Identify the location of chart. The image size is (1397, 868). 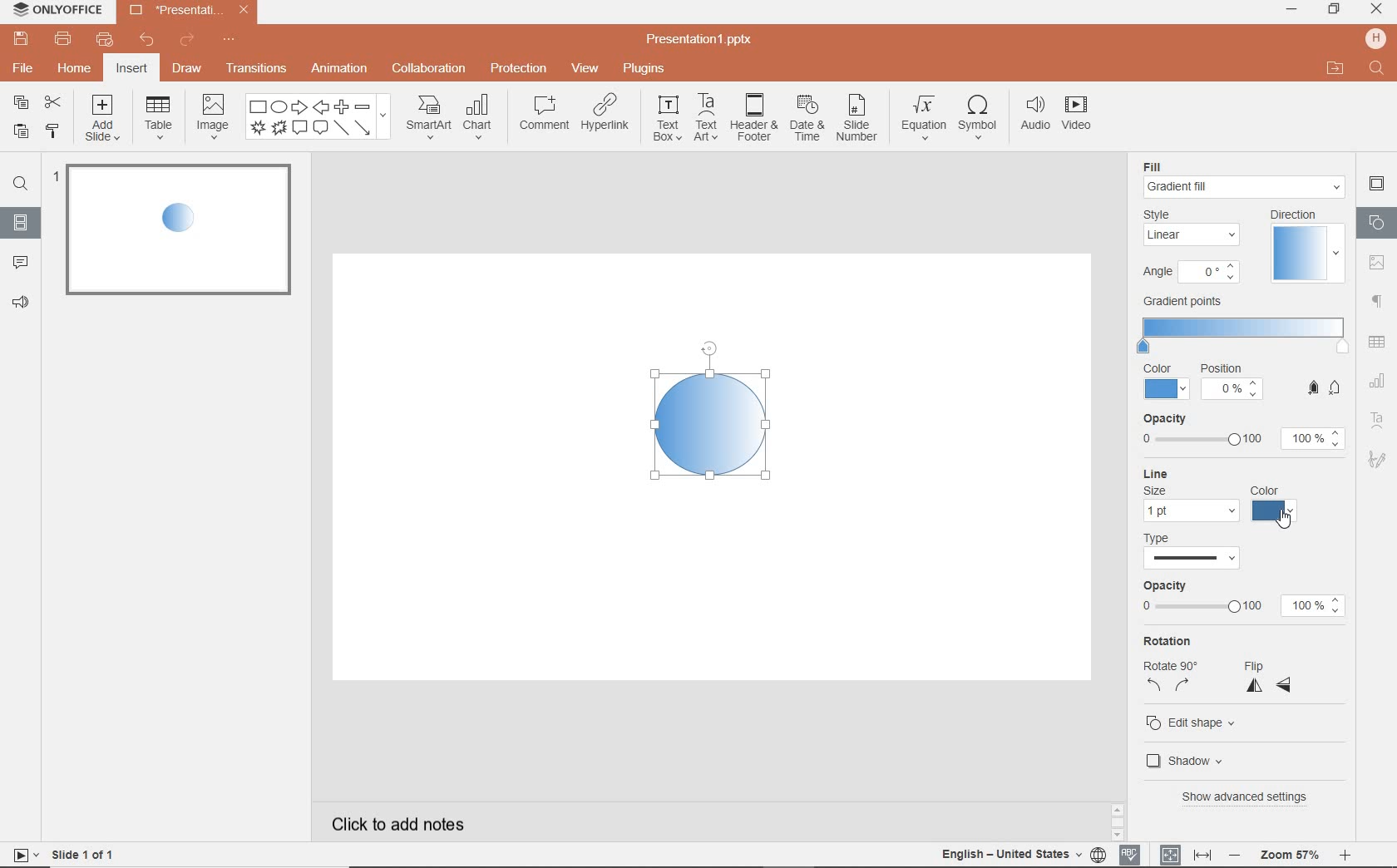
(479, 118).